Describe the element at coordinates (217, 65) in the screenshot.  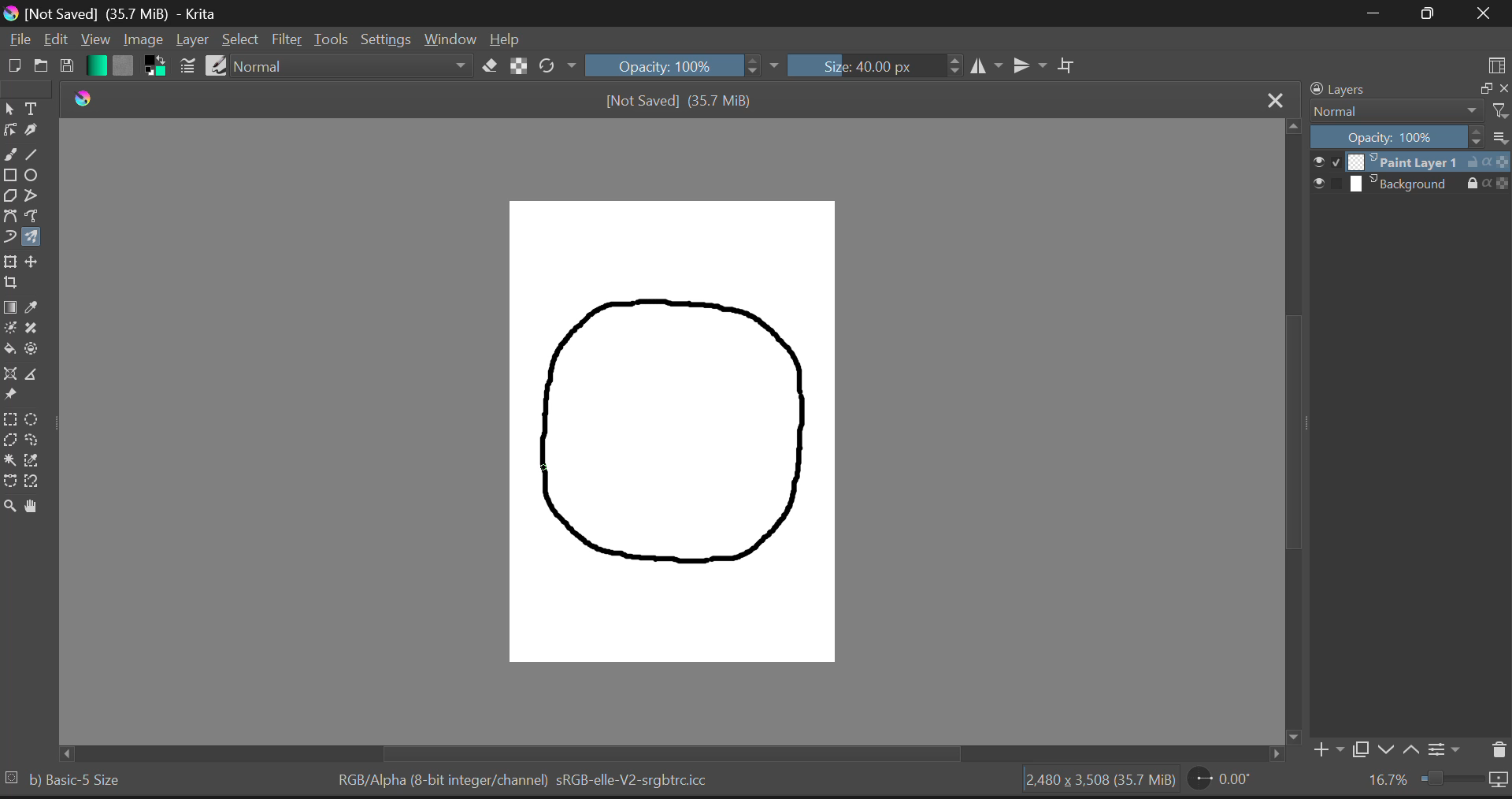
I see `Brush Presets` at that location.